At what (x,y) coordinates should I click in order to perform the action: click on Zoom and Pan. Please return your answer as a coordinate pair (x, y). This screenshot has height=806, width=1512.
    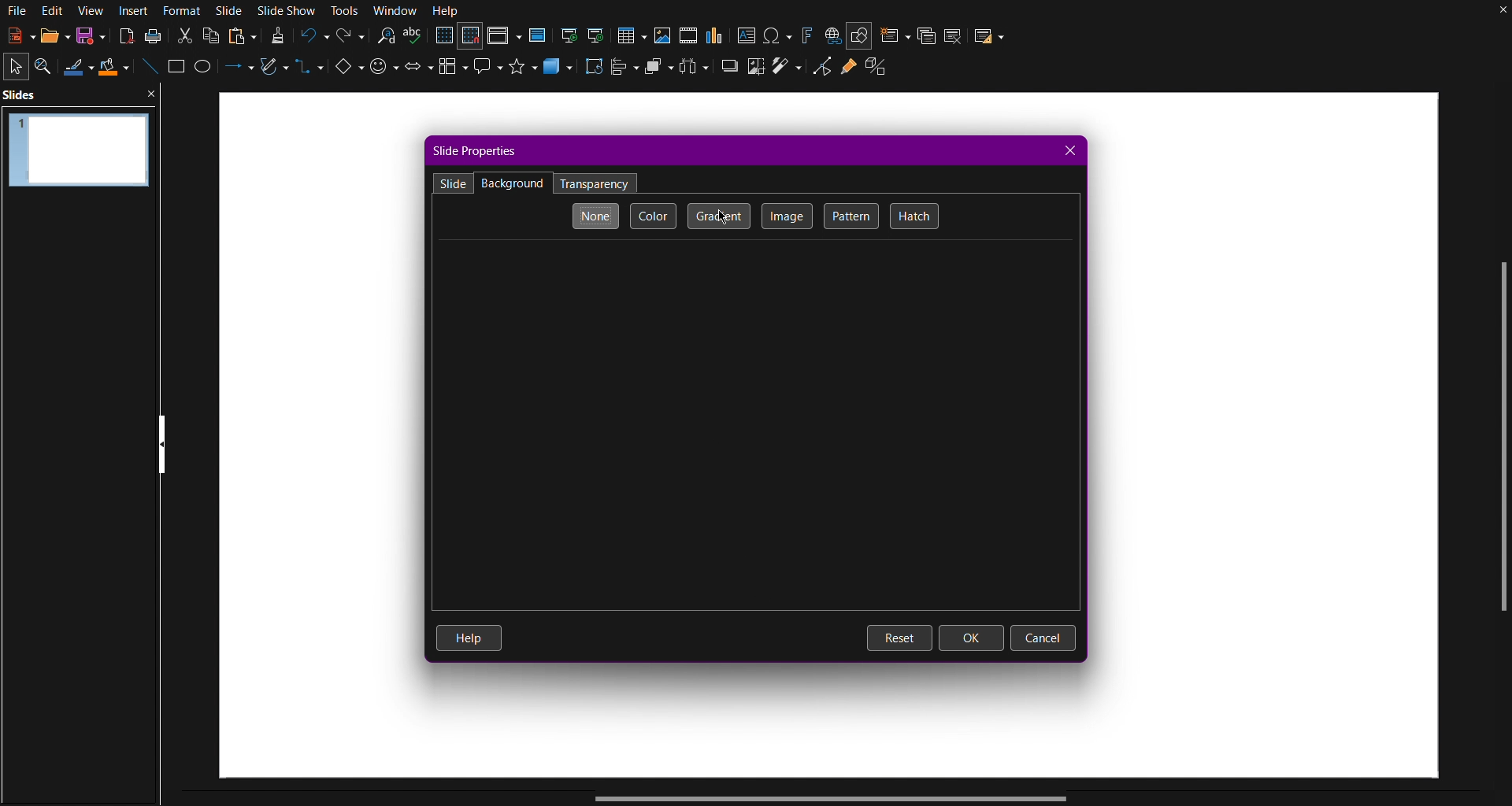
    Looking at the image, I should click on (48, 67).